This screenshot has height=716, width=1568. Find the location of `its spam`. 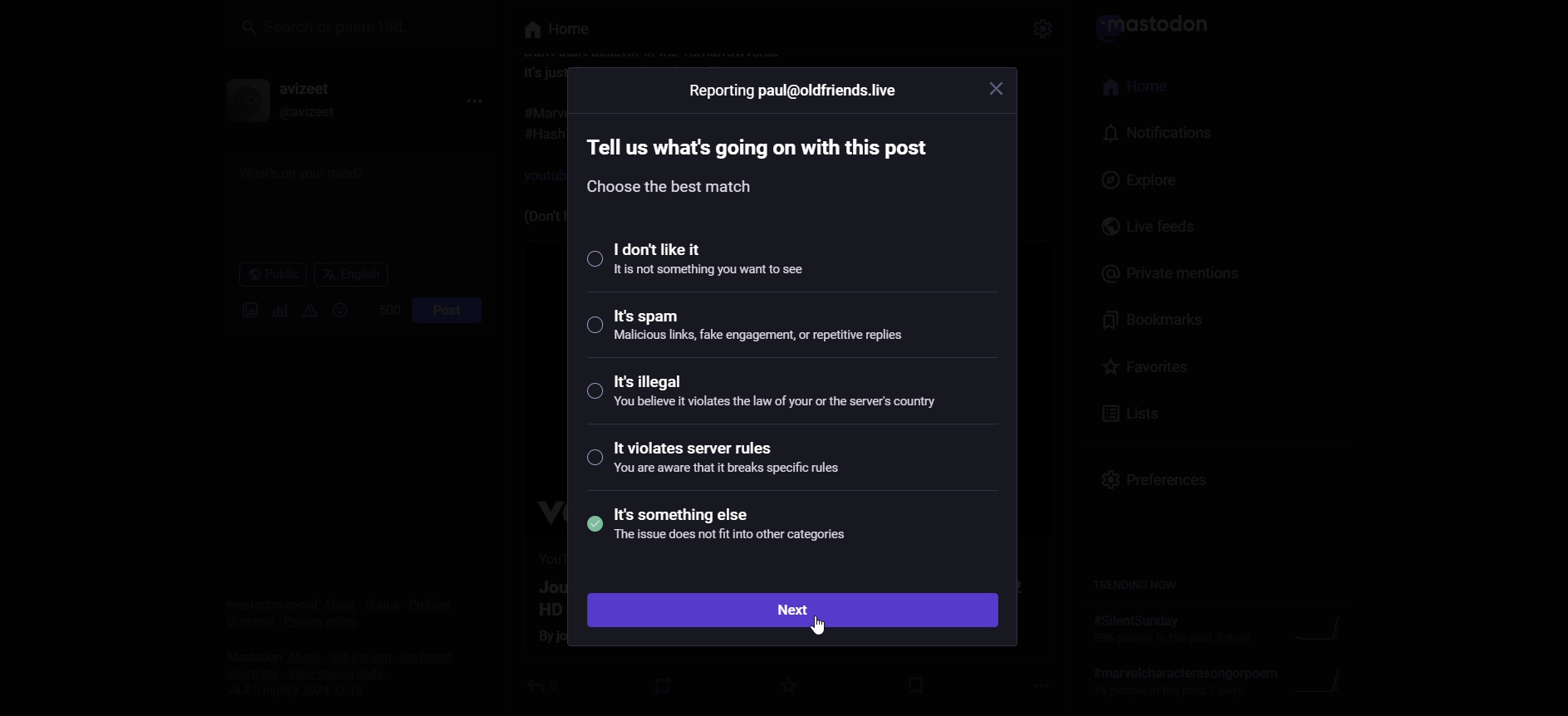

its spam is located at coordinates (761, 331).